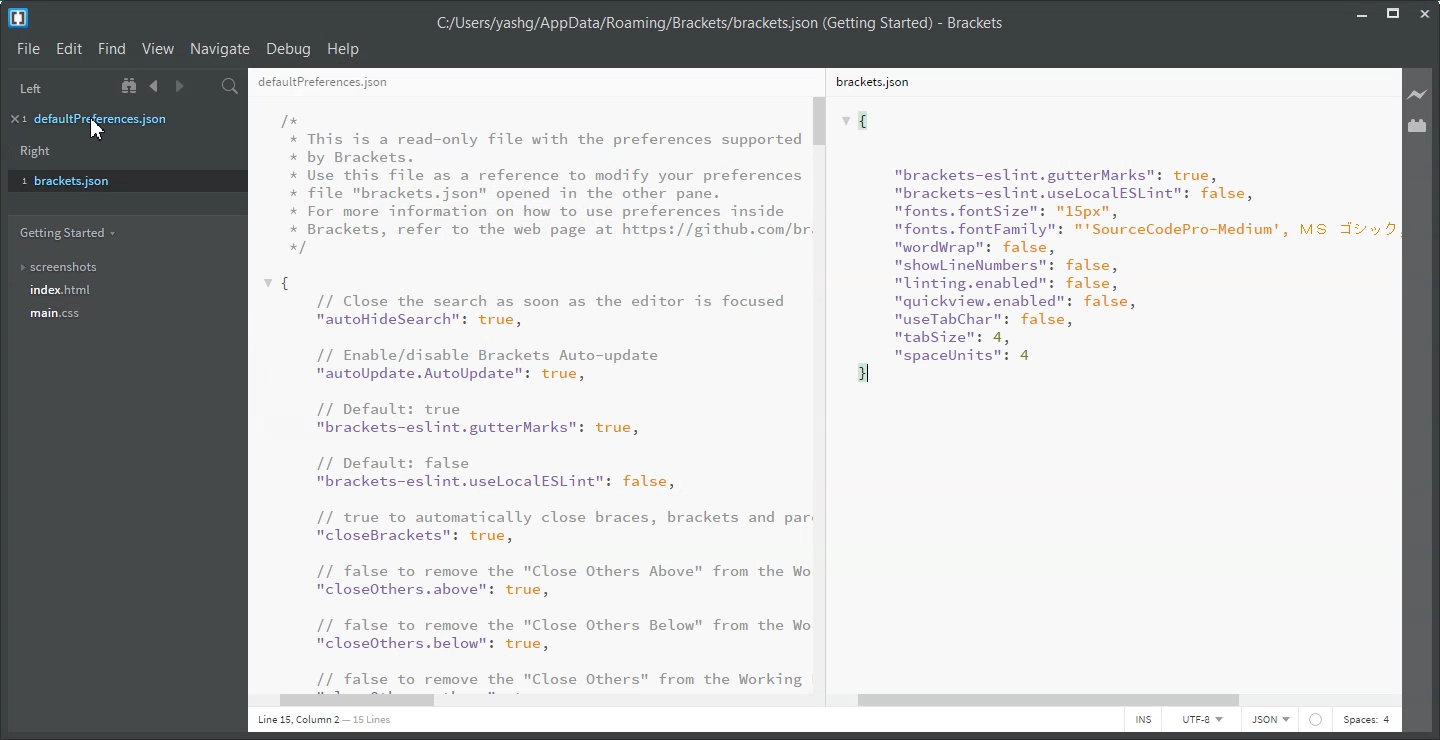  What do you see at coordinates (1143, 721) in the screenshot?
I see `INS` at bounding box center [1143, 721].